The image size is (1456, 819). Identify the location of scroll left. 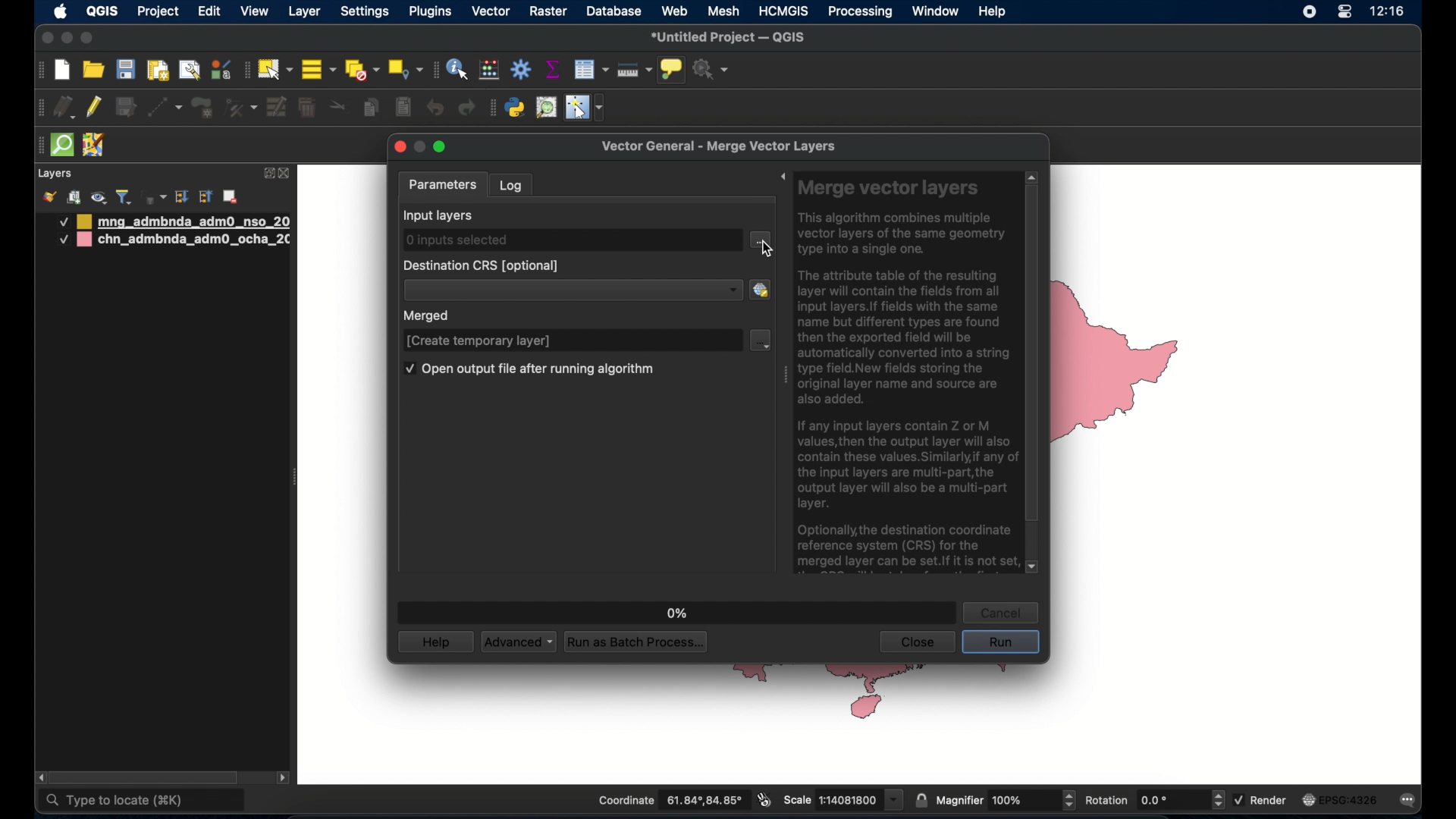
(41, 778).